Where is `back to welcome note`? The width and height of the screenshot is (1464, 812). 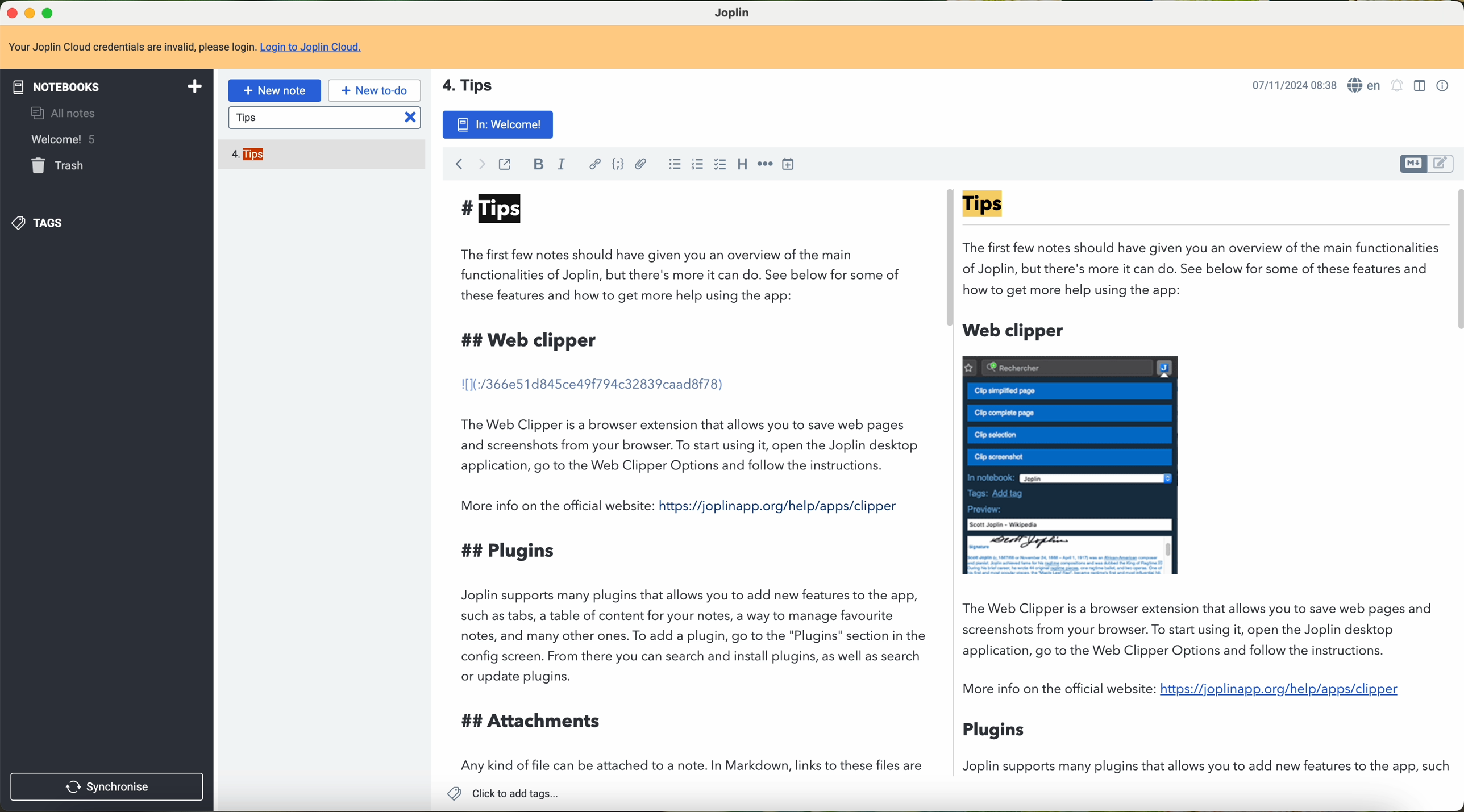 back to welcome note is located at coordinates (497, 126).